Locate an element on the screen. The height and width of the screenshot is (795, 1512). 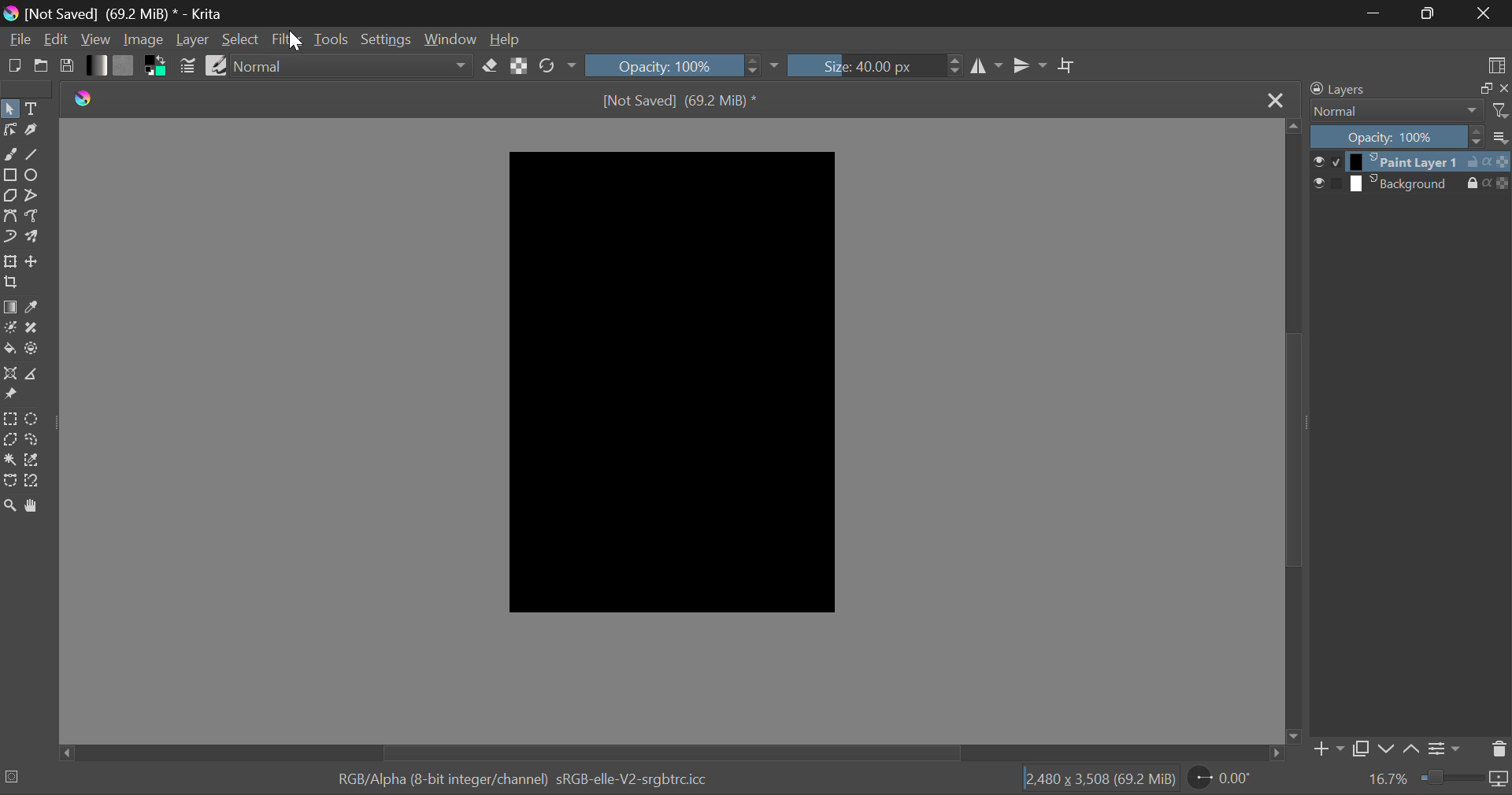
Colorize Mask Tool is located at coordinates (11, 329).